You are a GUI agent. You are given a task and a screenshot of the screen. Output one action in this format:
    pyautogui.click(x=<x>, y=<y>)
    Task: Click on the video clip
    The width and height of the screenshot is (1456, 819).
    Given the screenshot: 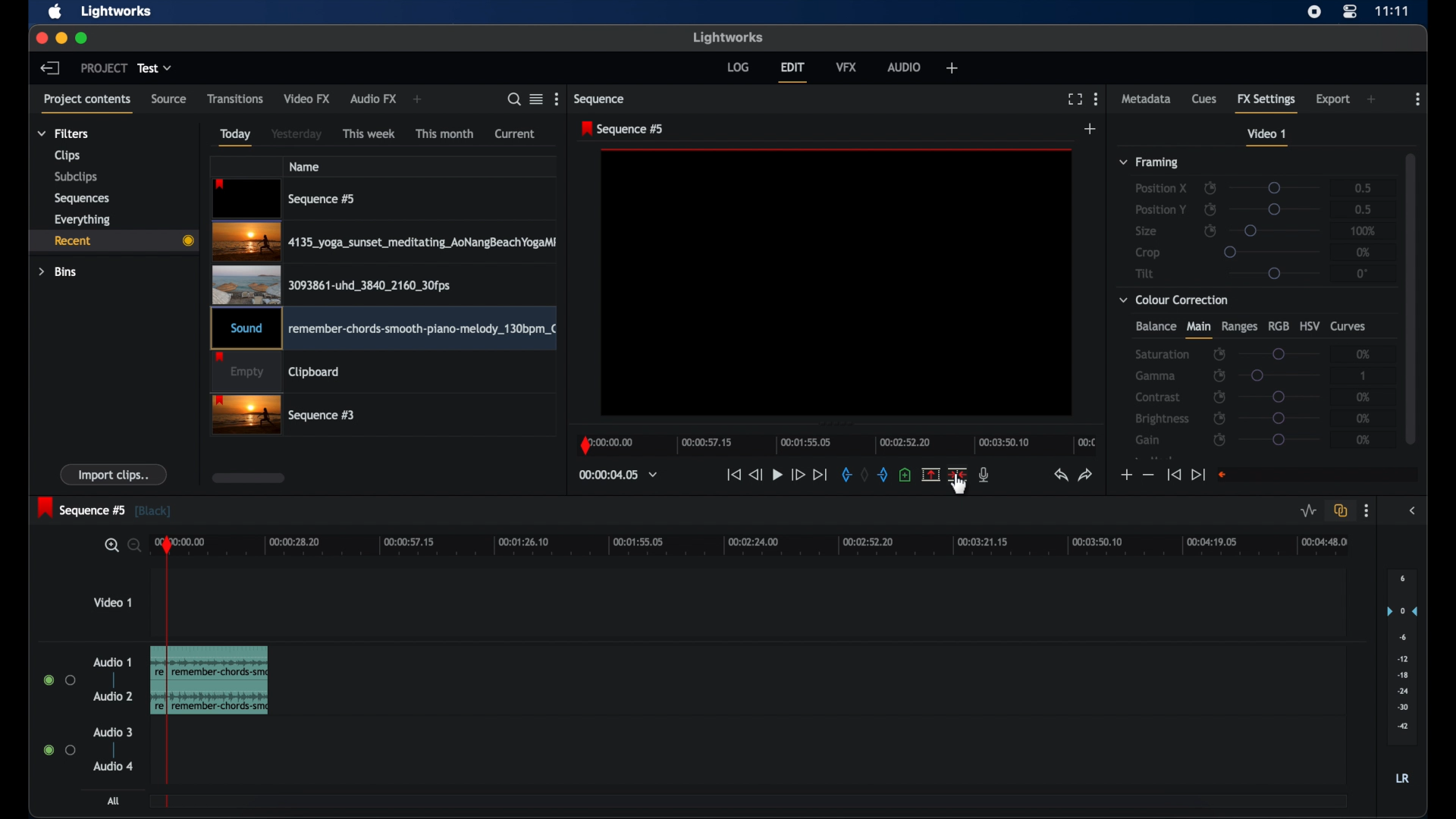 What is the action you would take?
    pyautogui.click(x=384, y=242)
    